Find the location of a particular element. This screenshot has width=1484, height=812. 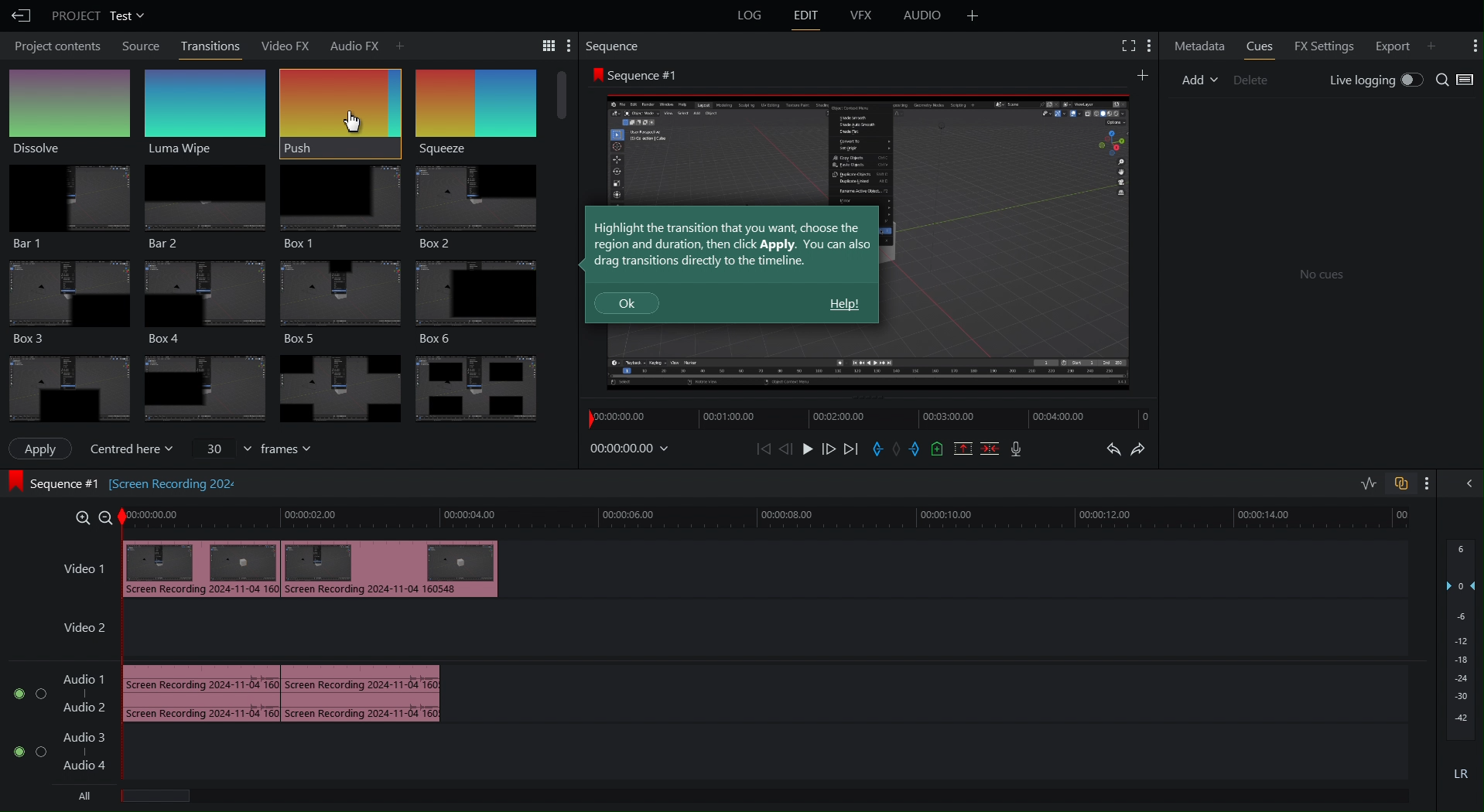

Undo is located at coordinates (1107, 452).